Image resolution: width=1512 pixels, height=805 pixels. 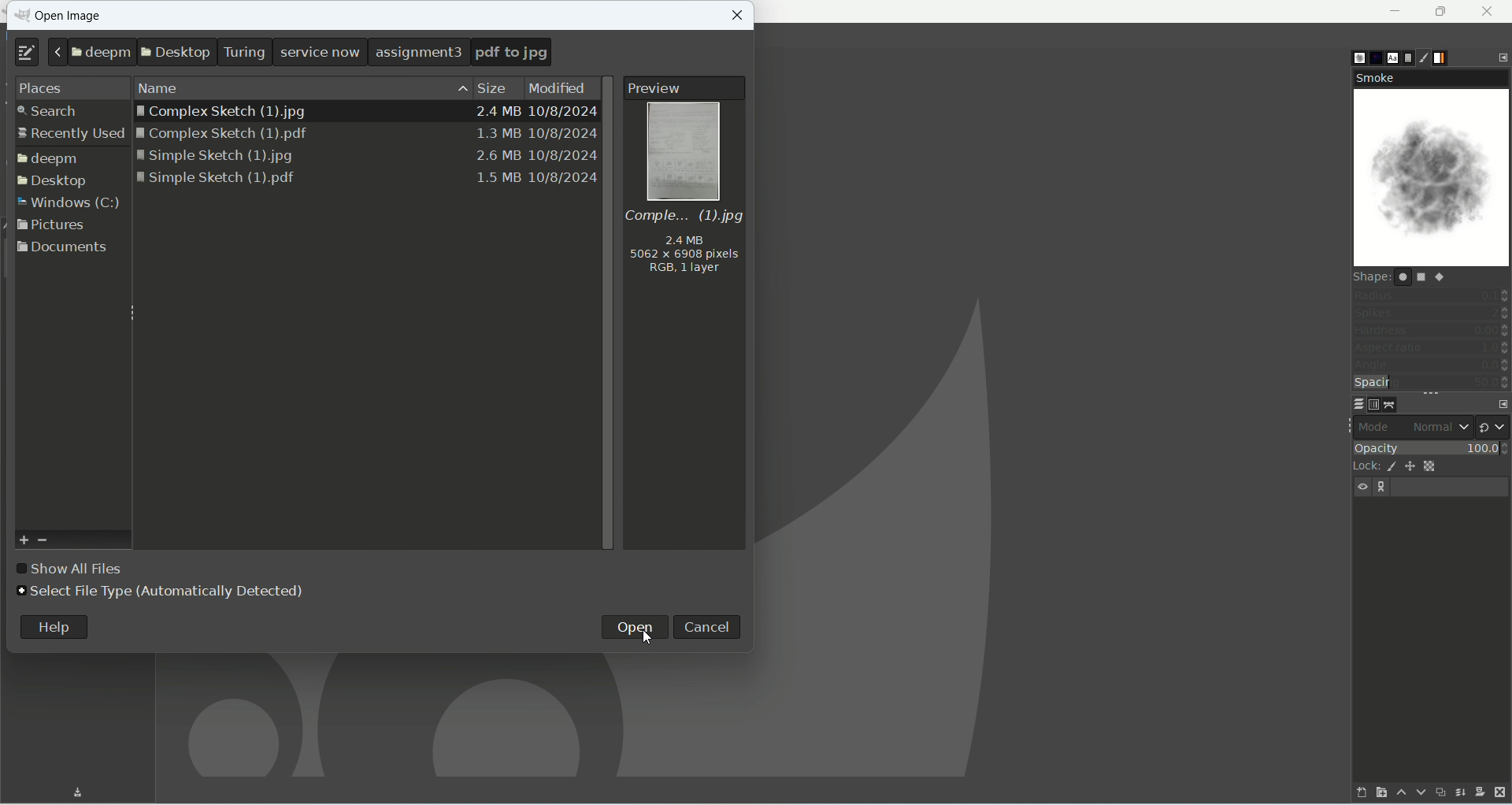 I want to click on | Complex Sketch, so click(x=368, y=114).